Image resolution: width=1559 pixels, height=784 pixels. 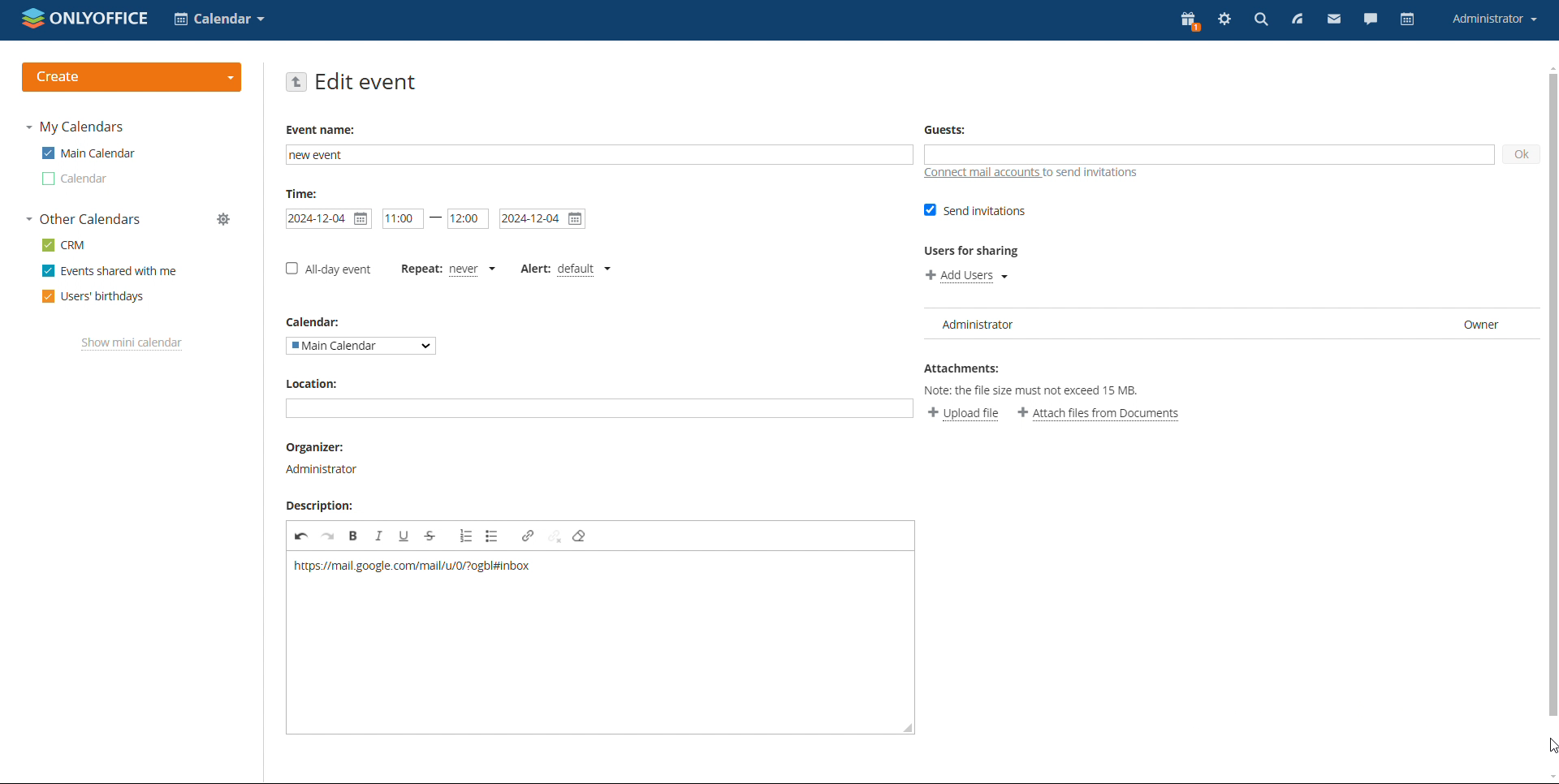 What do you see at coordinates (946, 128) in the screenshot?
I see `Guests:` at bounding box center [946, 128].